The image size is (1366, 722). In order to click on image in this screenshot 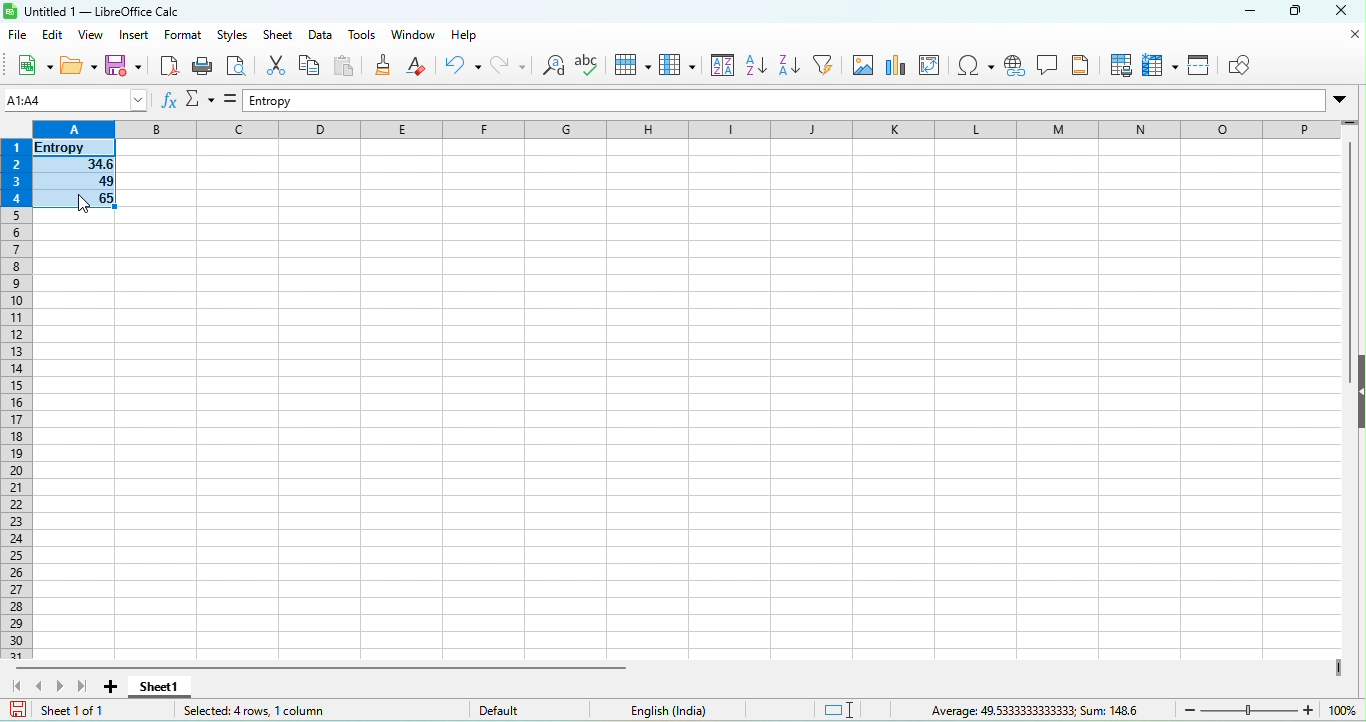, I will do `click(865, 66)`.